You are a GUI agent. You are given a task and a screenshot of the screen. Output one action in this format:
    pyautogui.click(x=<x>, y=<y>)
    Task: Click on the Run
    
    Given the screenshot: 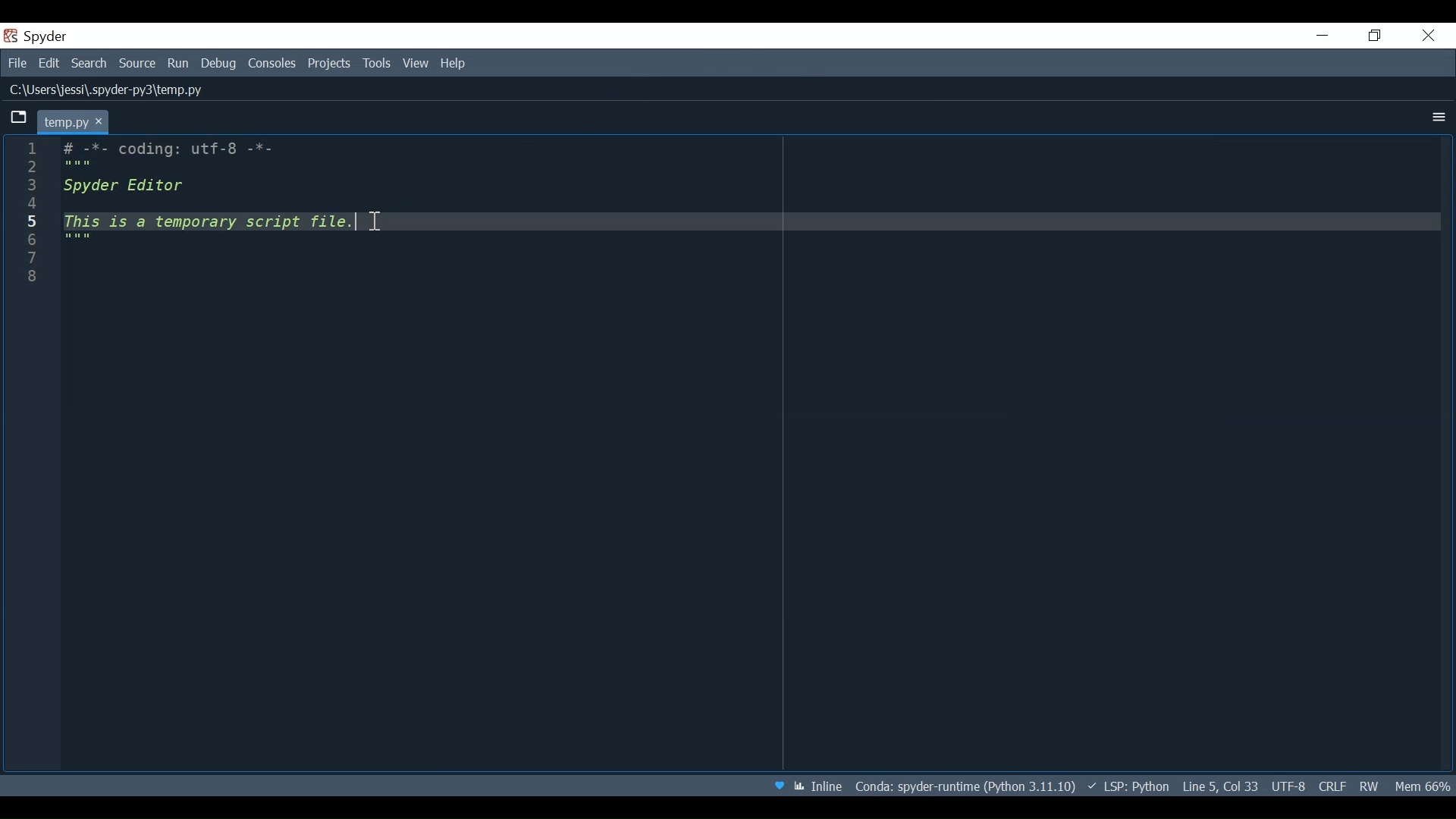 What is the action you would take?
    pyautogui.click(x=180, y=64)
    